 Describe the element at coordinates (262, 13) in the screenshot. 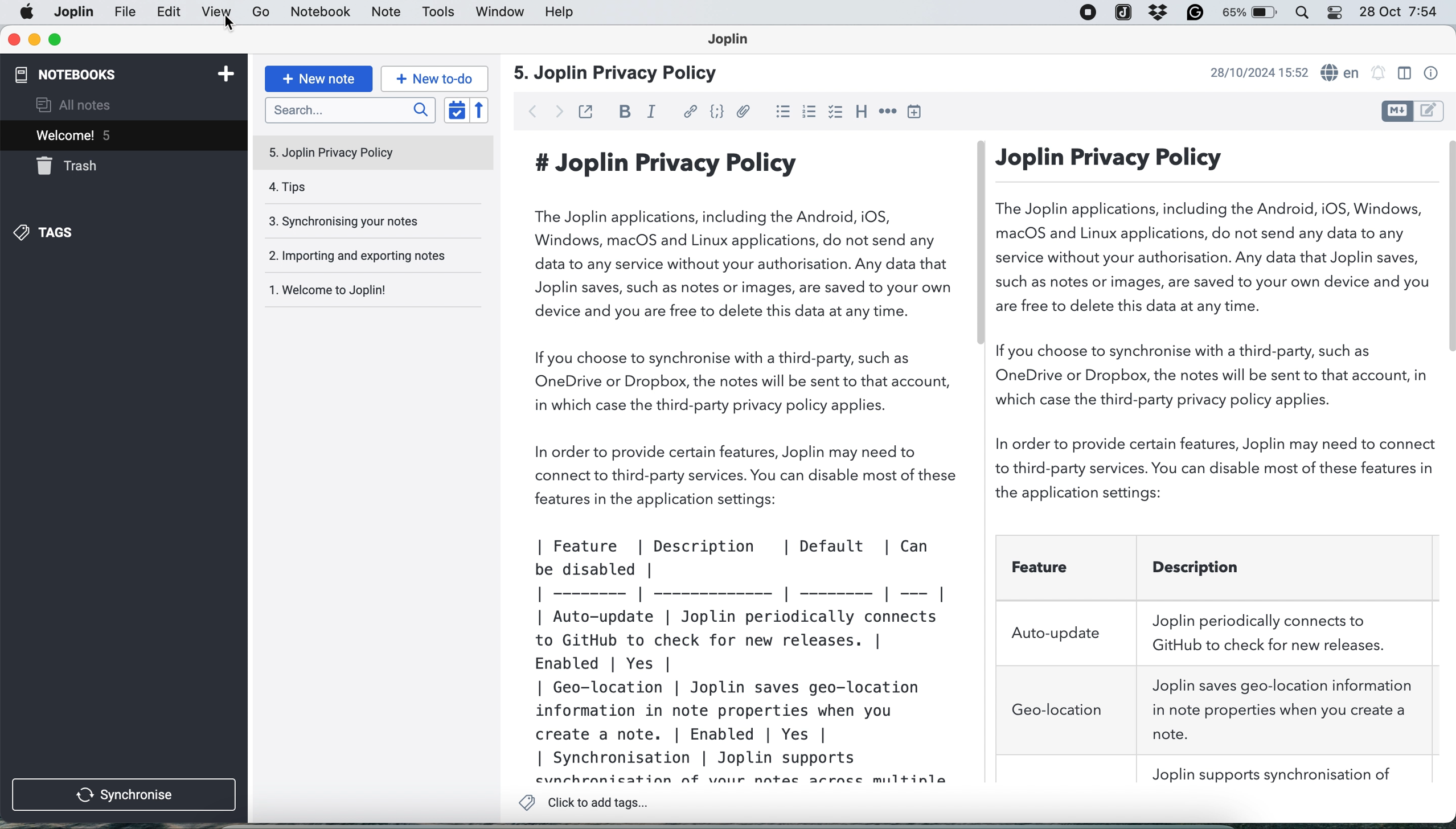

I see `go` at that location.